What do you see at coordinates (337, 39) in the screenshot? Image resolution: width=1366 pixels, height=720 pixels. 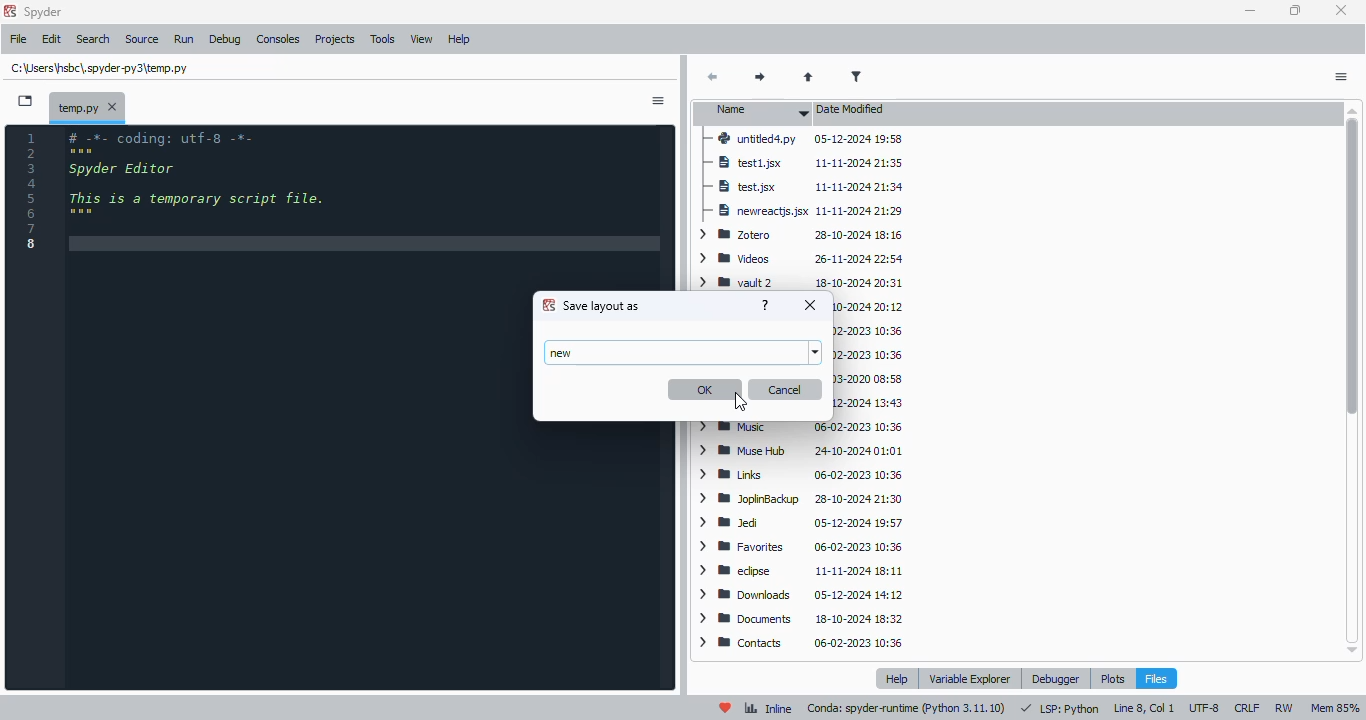 I see `projects` at bounding box center [337, 39].